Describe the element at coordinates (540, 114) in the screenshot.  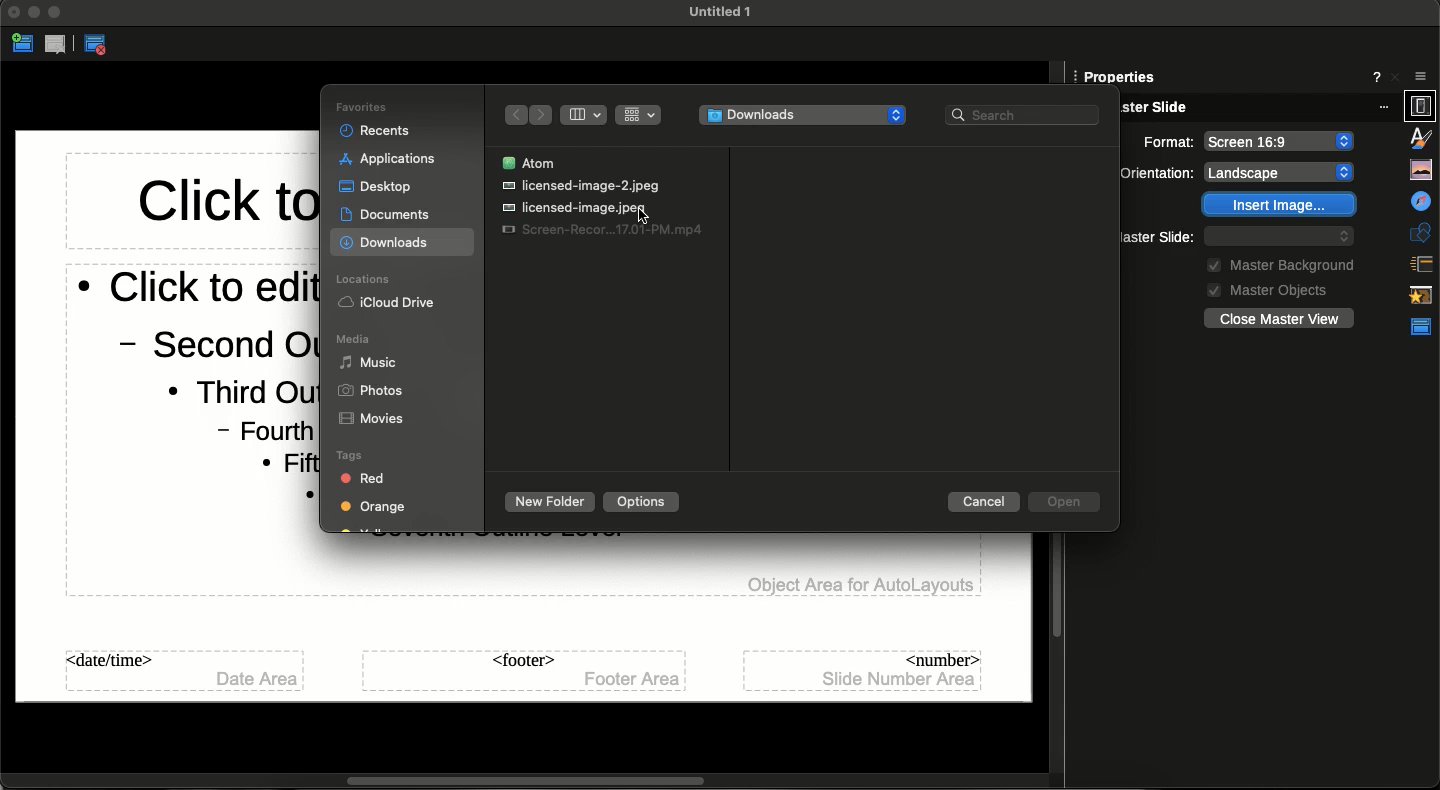
I see `Forward` at that location.